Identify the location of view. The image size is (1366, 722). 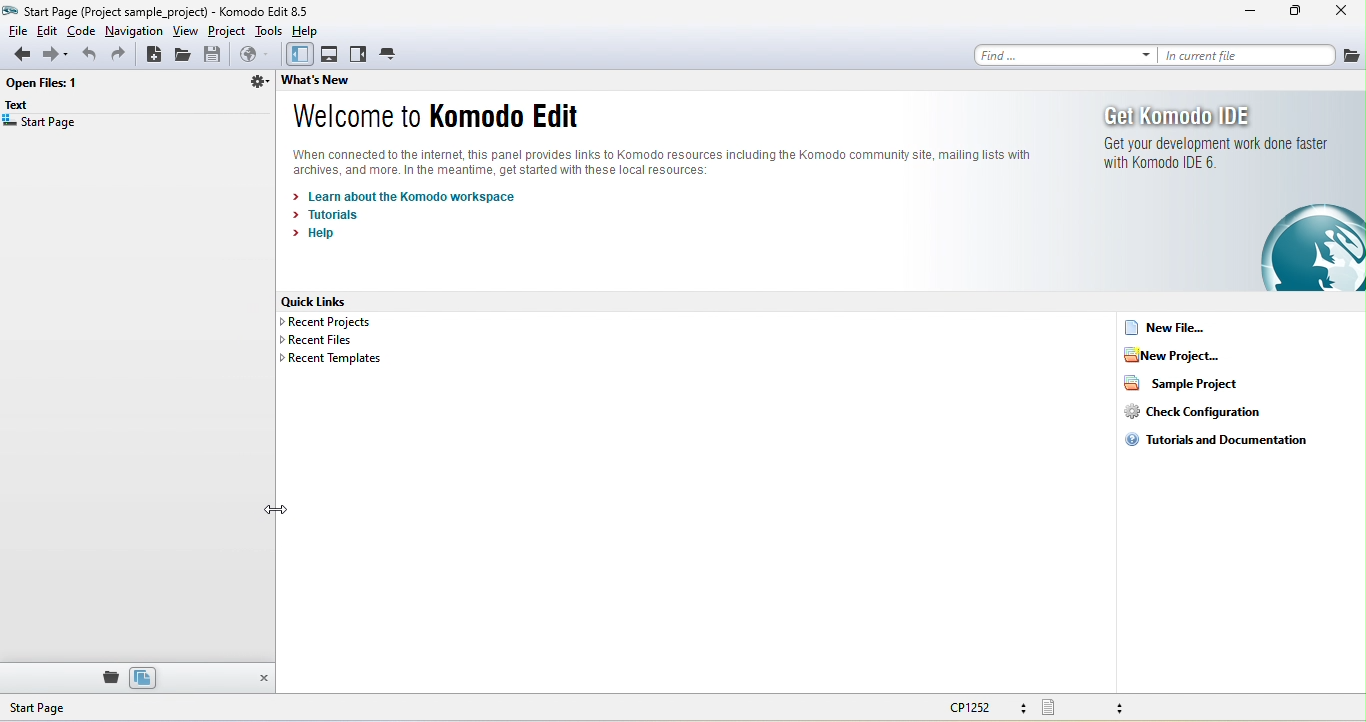
(187, 31).